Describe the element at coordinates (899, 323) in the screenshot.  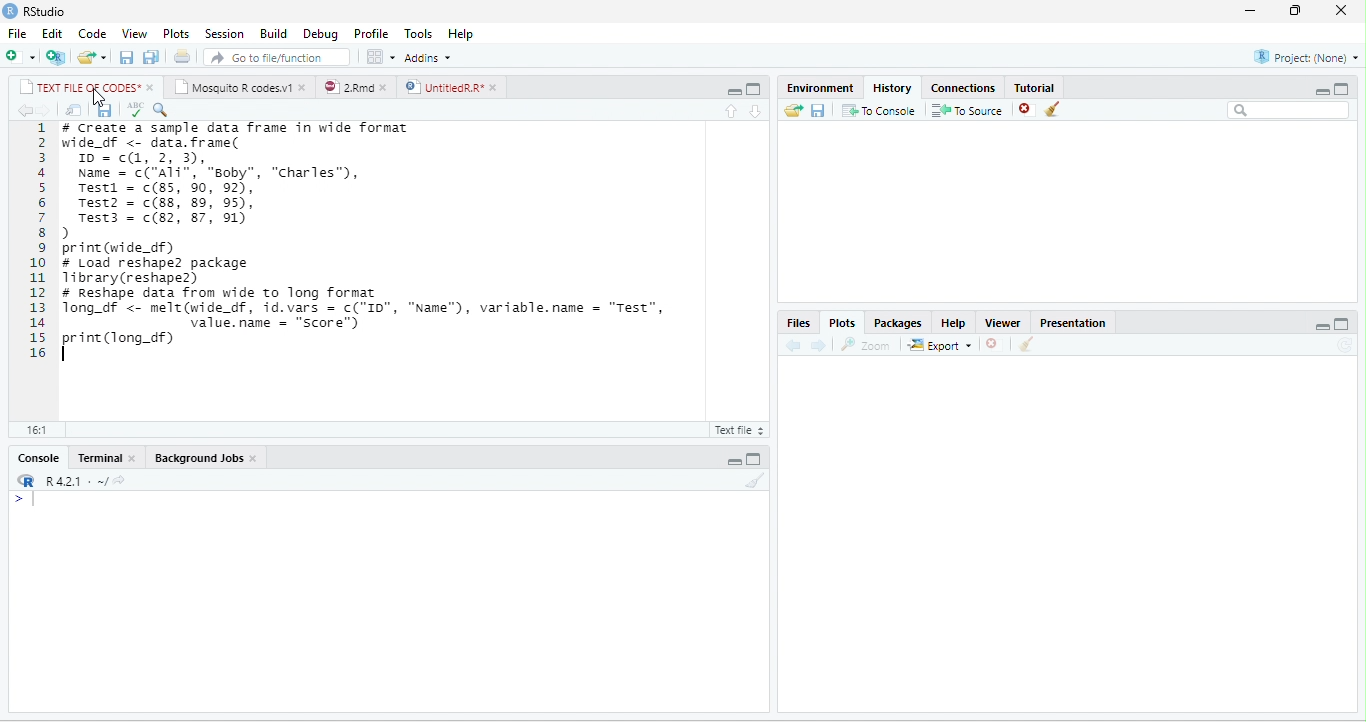
I see `Packages` at that location.